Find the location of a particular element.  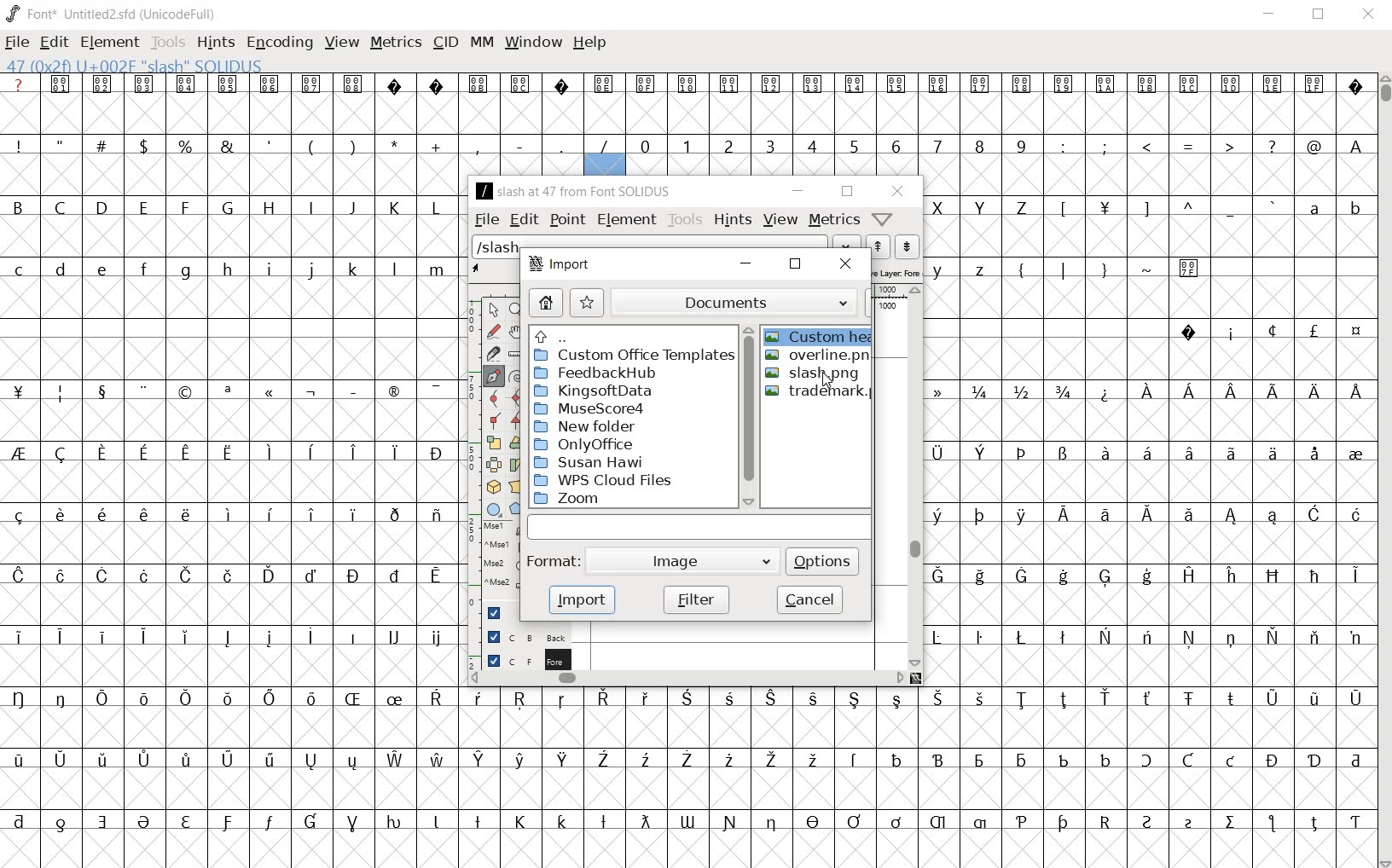

Add a corner point is located at coordinates (491, 420).